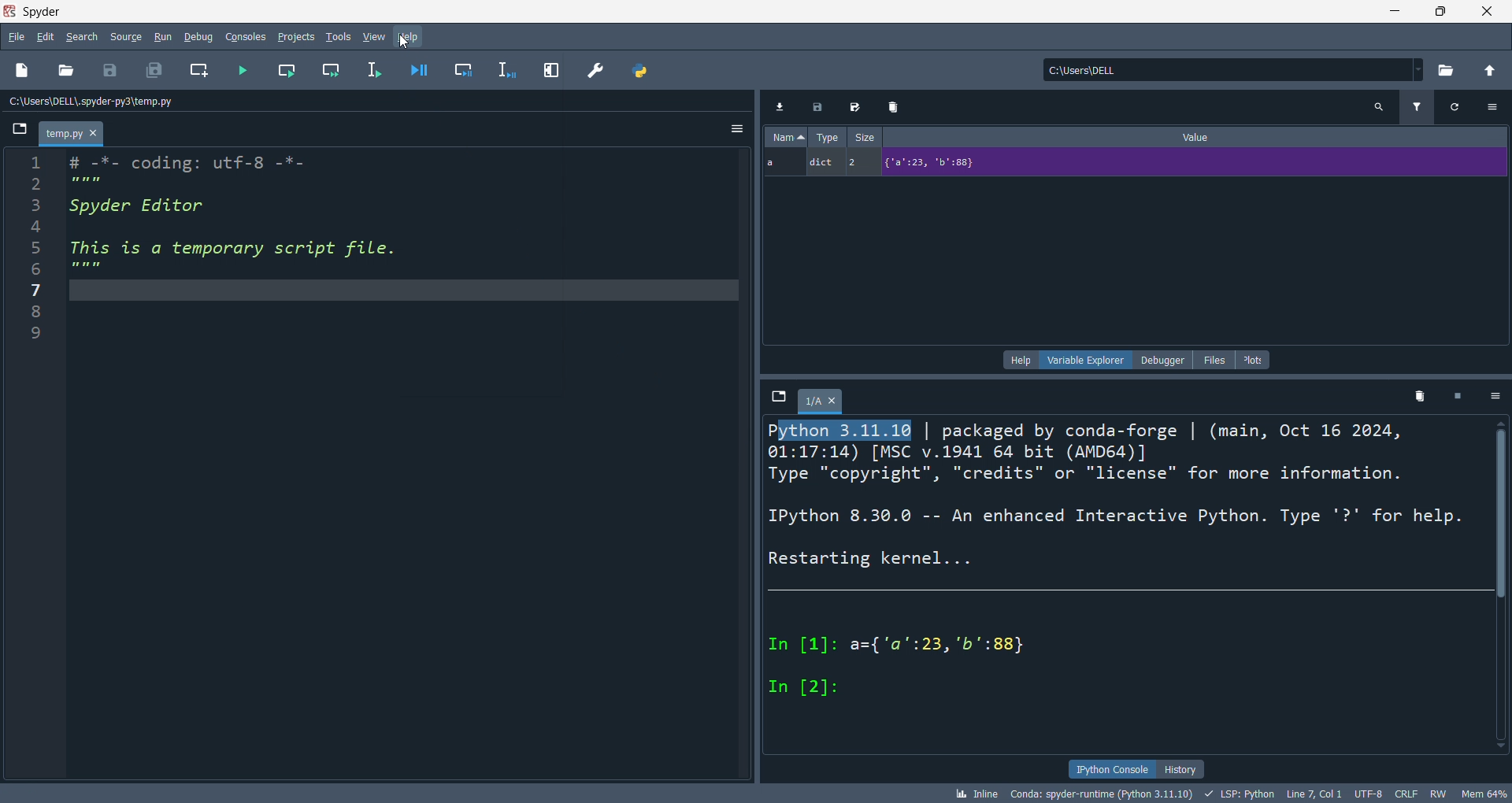  Describe the element at coordinates (339, 38) in the screenshot. I see `tools` at that location.